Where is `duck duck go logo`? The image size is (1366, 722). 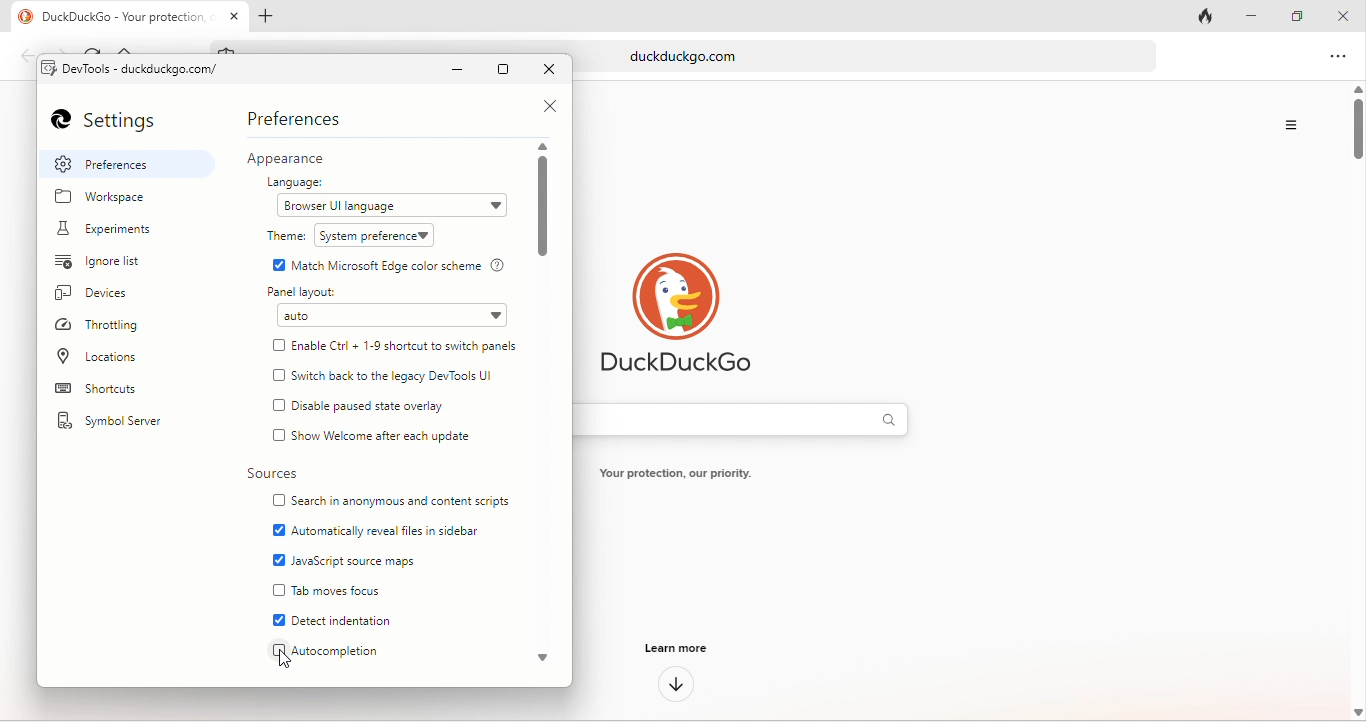 duck duck go logo is located at coordinates (687, 295).